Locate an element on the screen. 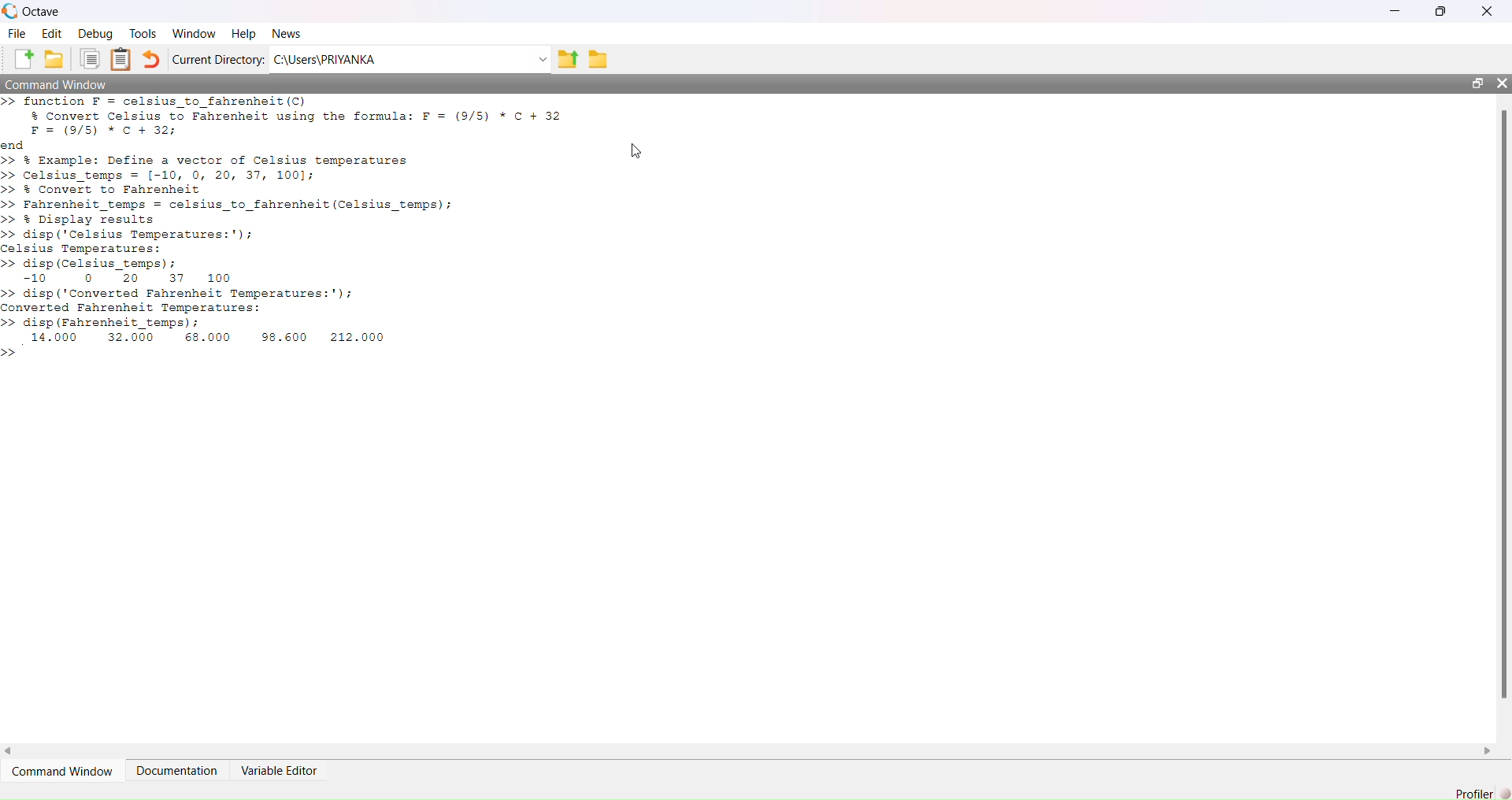 This screenshot has height=800, width=1512. close is located at coordinates (1503, 83).